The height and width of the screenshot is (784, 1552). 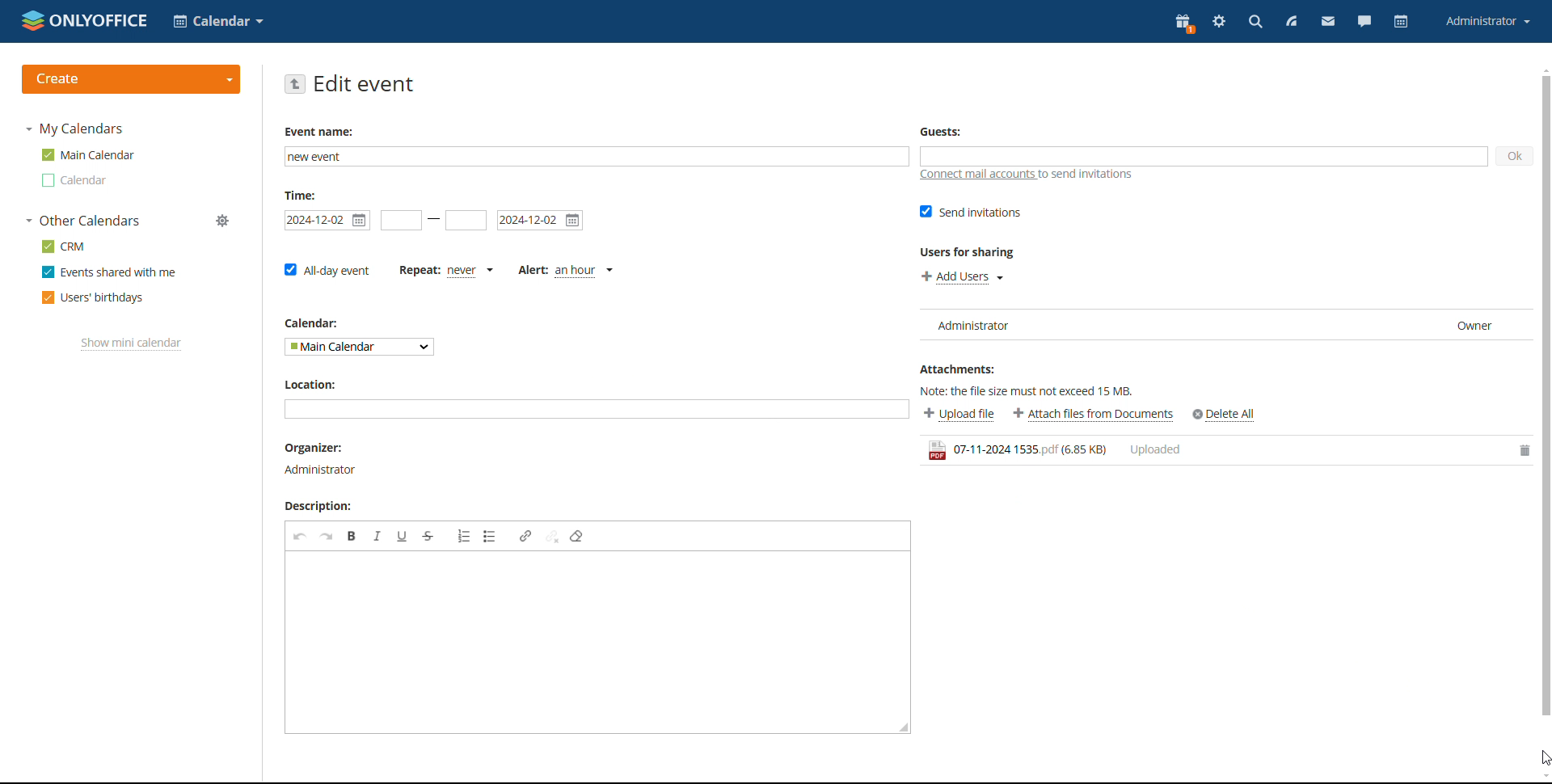 What do you see at coordinates (1516, 157) in the screenshot?
I see `ok` at bounding box center [1516, 157].